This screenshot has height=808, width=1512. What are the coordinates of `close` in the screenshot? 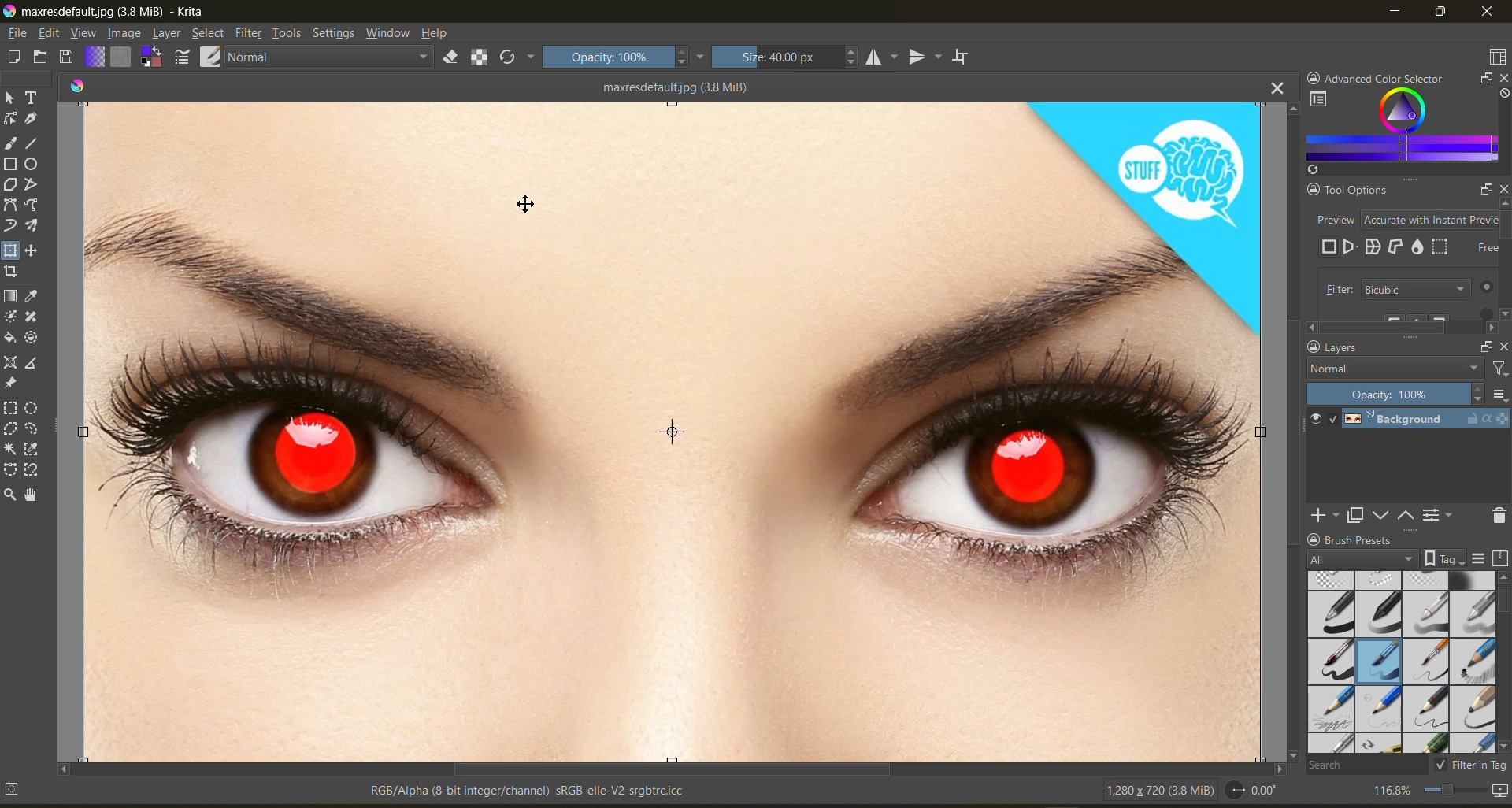 It's located at (1487, 13).